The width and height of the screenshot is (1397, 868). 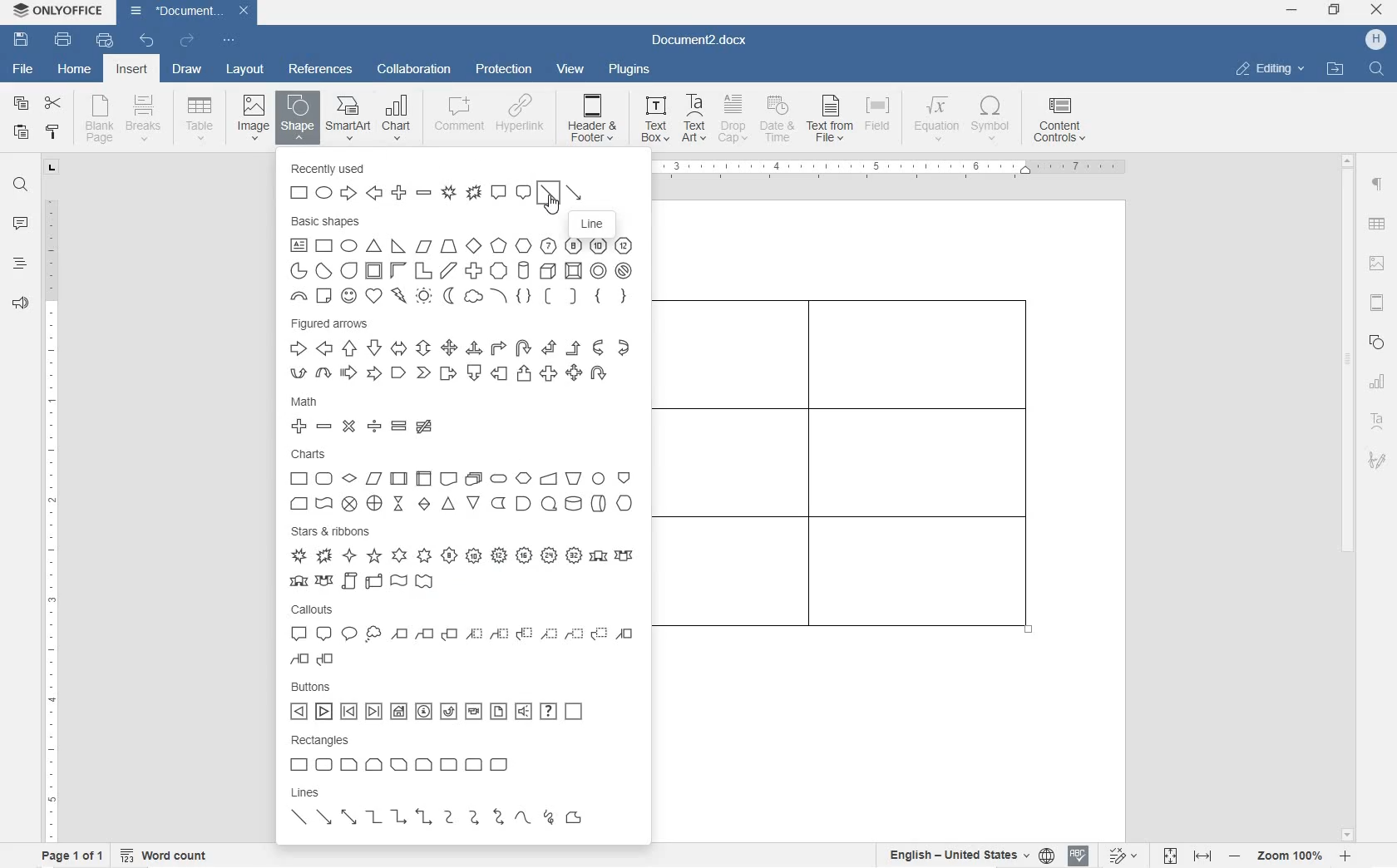 What do you see at coordinates (189, 12) in the screenshot?
I see `Document3.docx` at bounding box center [189, 12].